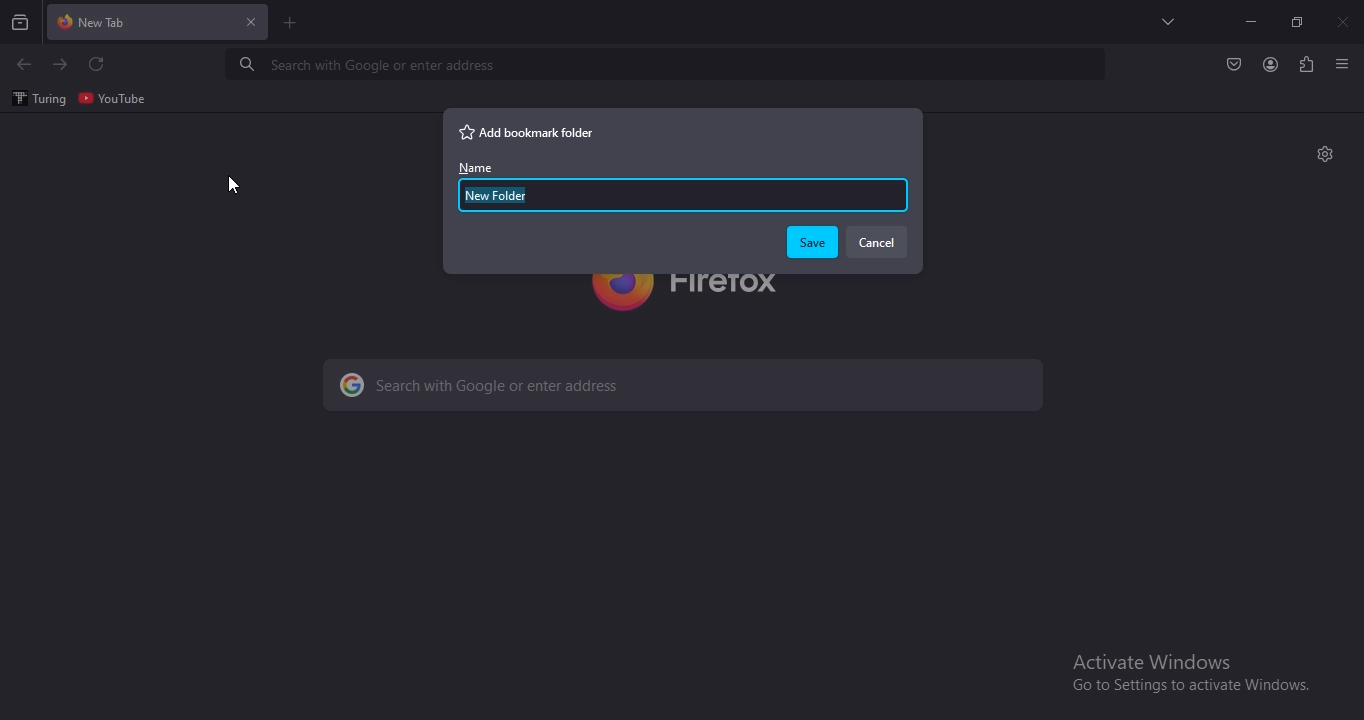  I want to click on view settings menu, so click(1343, 63).